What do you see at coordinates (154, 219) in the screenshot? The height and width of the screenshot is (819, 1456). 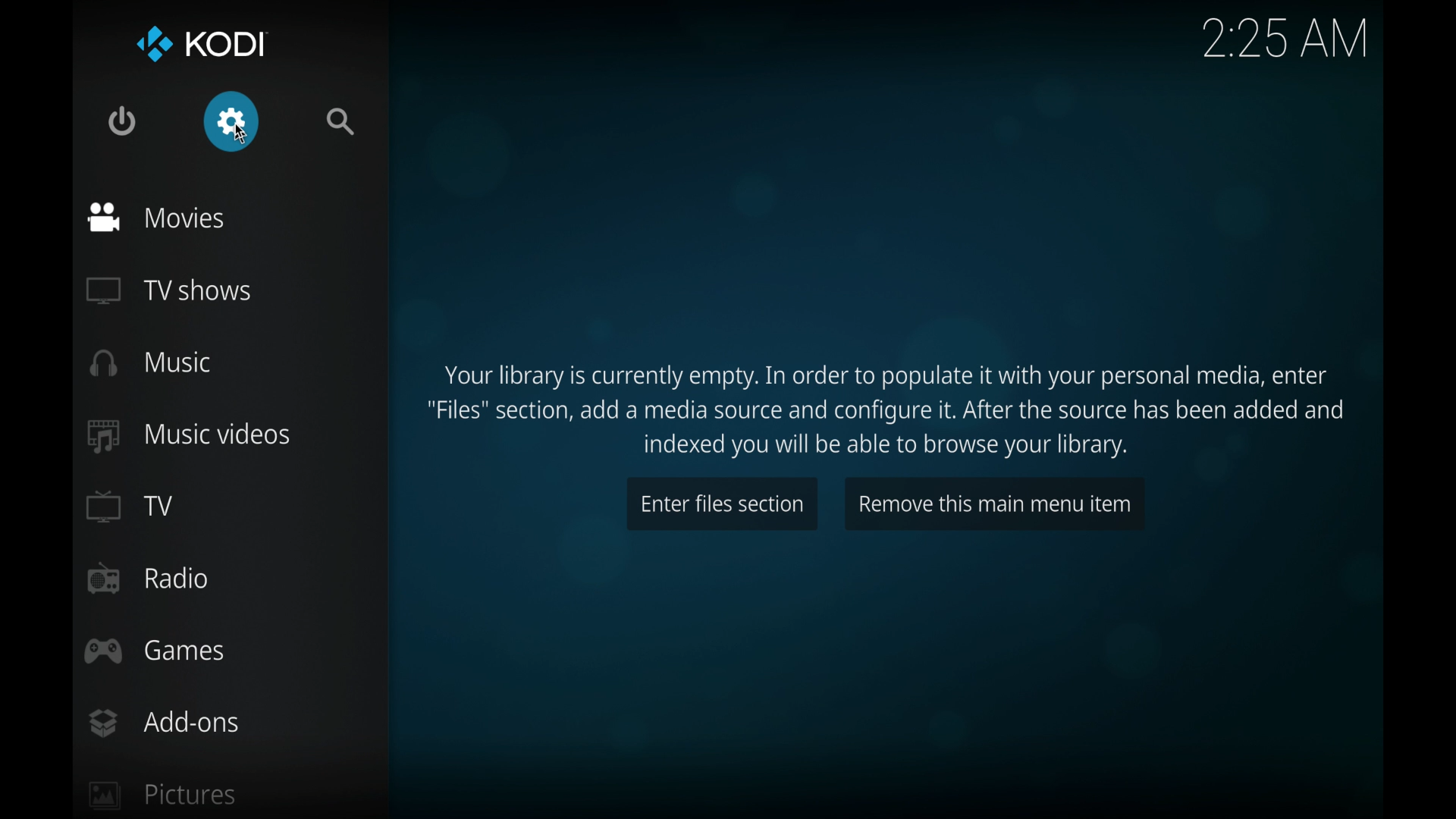 I see `movies` at bounding box center [154, 219].